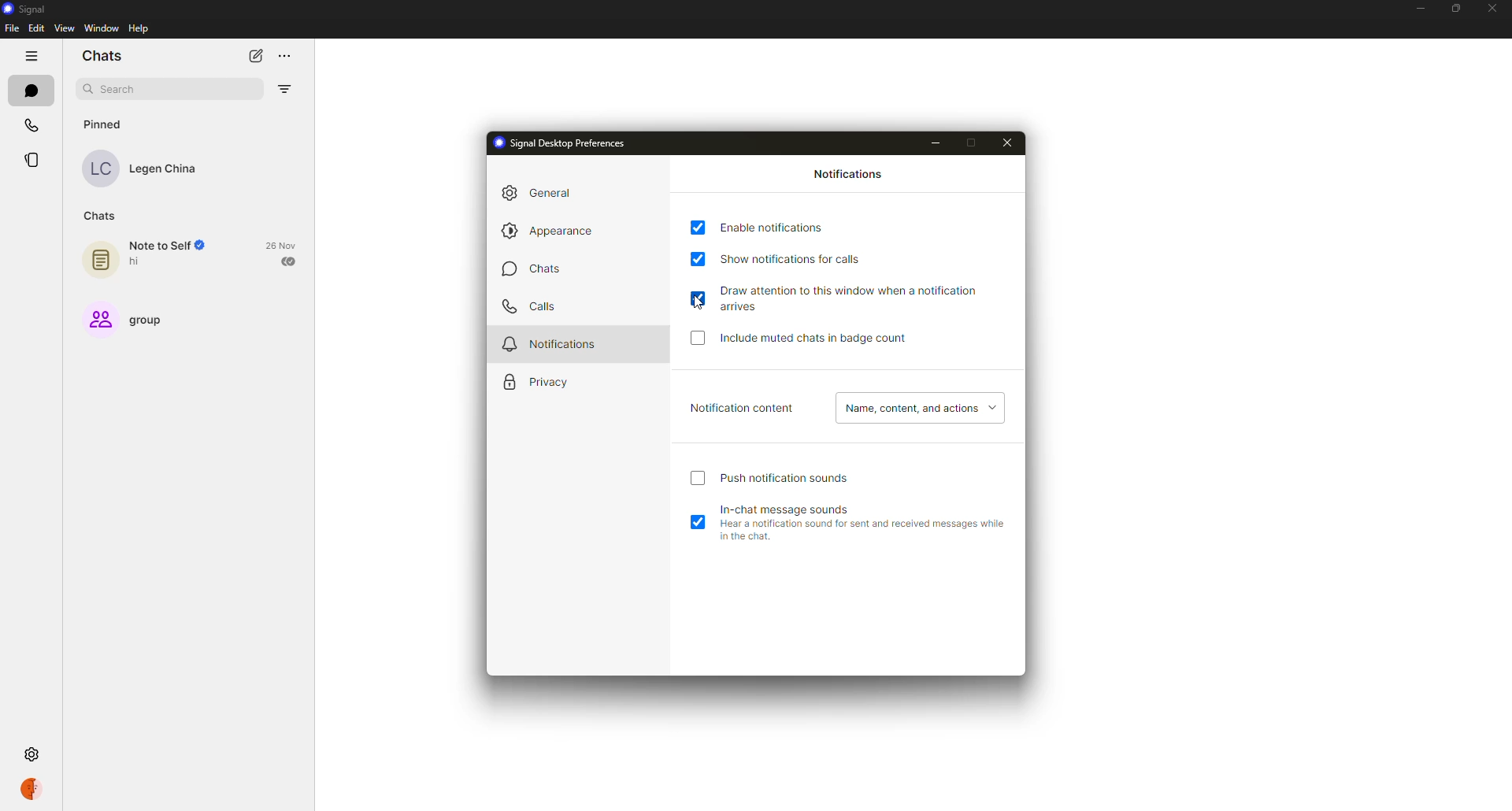 Image resolution: width=1512 pixels, height=811 pixels. What do you see at coordinates (33, 91) in the screenshot?
I see `chats` at bounding box center [33, 91].